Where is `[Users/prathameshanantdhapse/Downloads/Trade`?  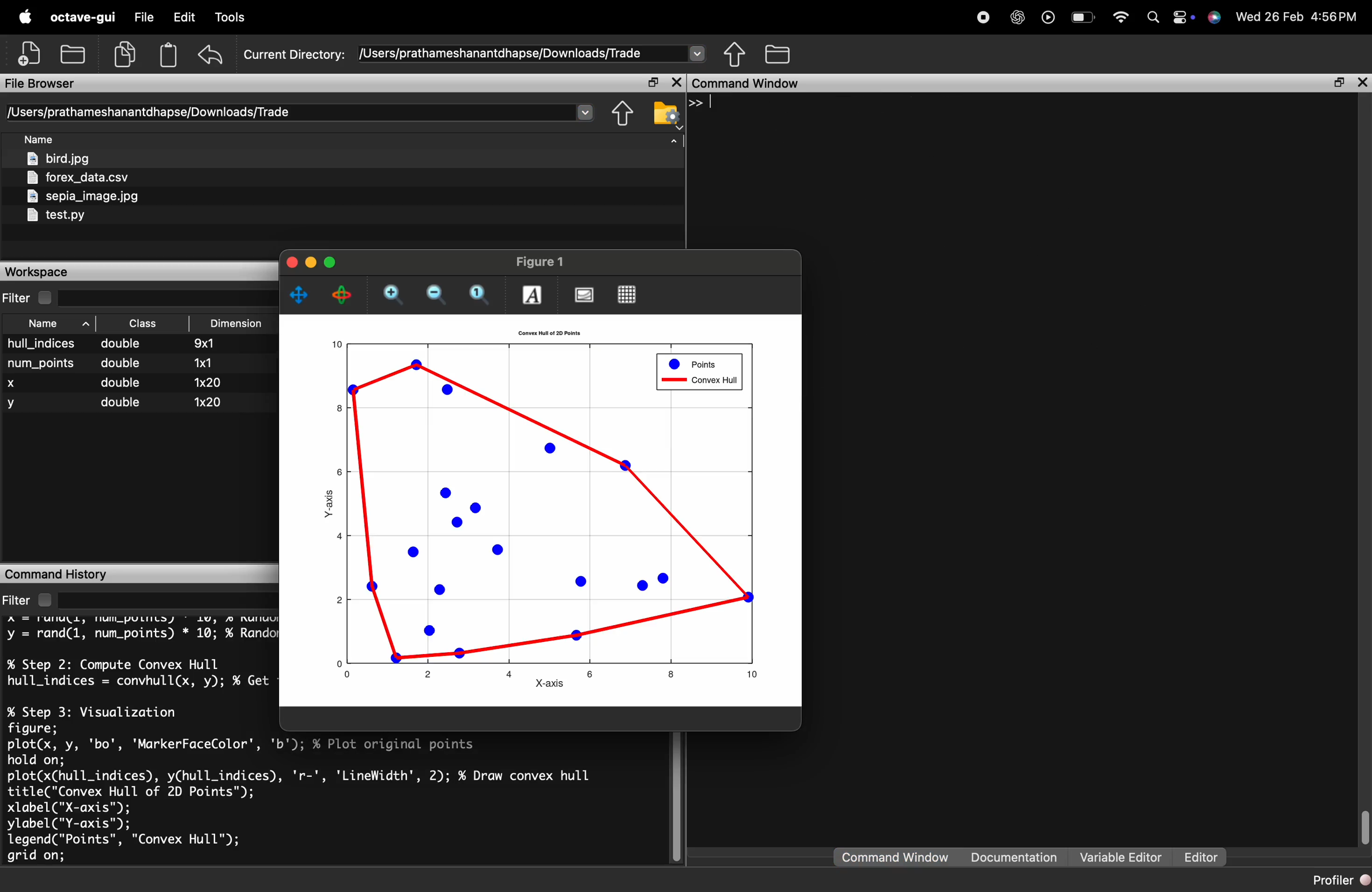
[Users/prathameshanantdhapse/Downloads/Trade is located at coordinates (147, 112).